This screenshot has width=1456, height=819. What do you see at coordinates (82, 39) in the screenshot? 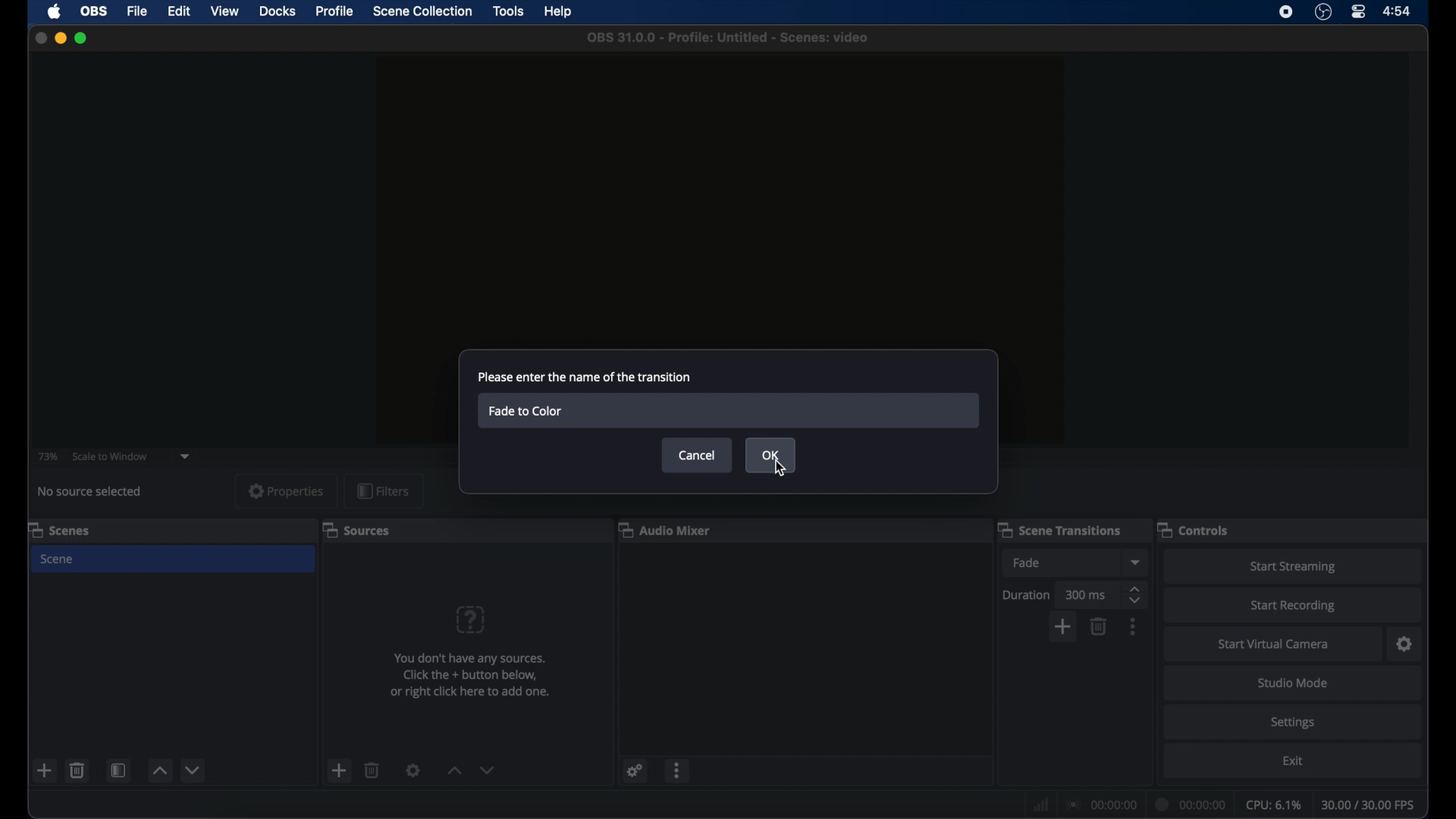
I see `maximize` at bounding box center [82, 39].